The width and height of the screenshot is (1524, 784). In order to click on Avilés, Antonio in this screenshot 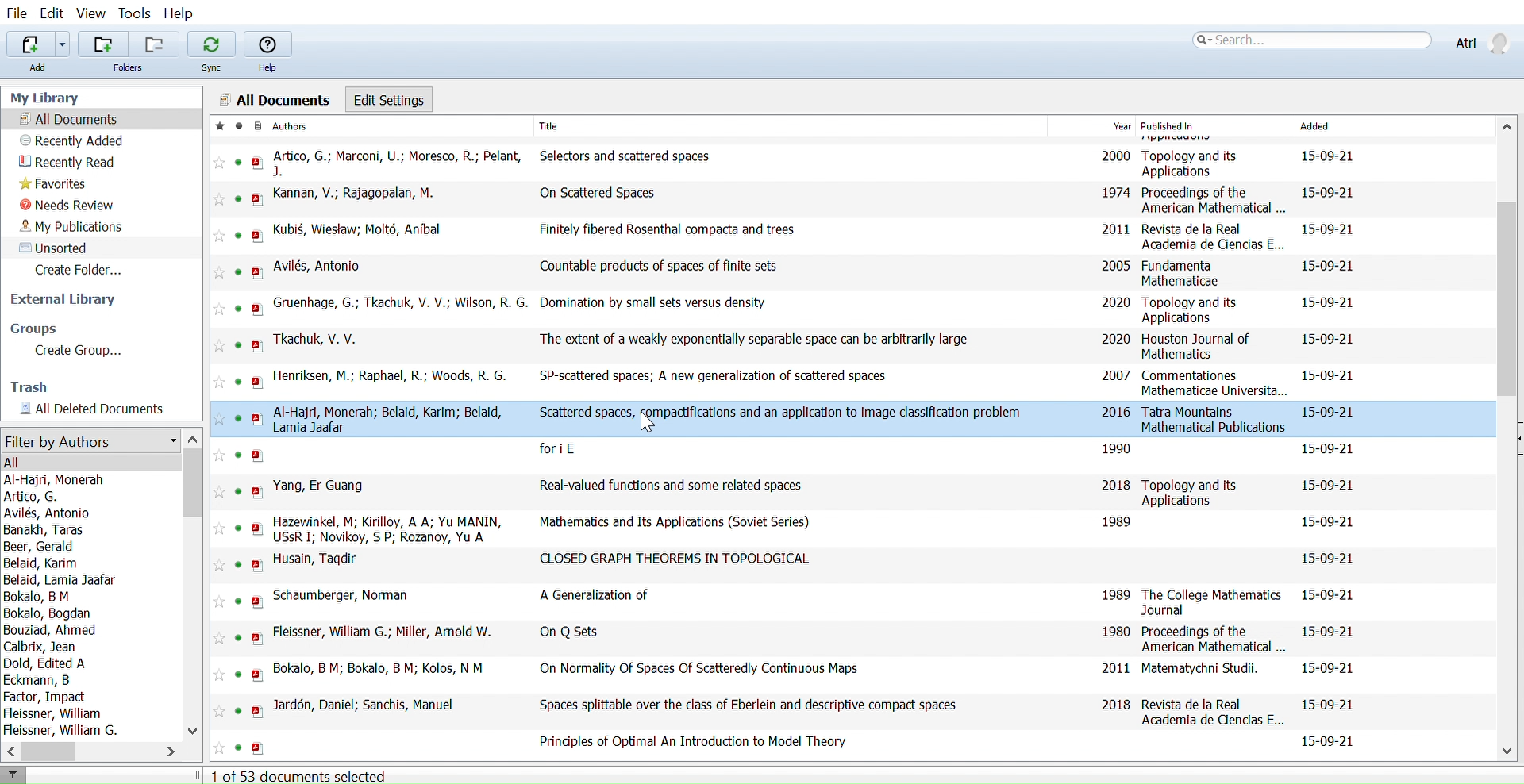, I will do `click(320, 267)`.